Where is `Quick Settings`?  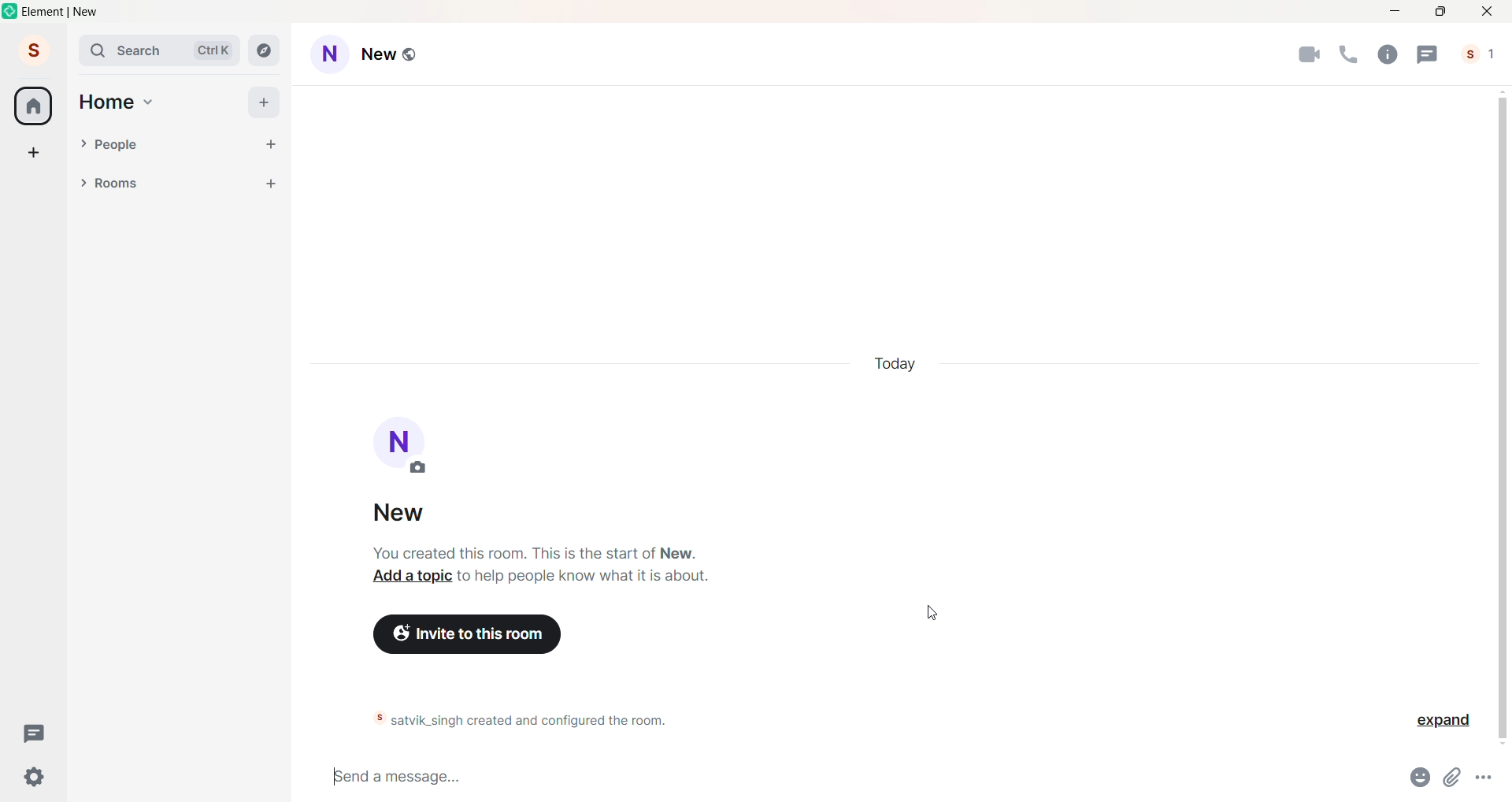 Quick Settings is located at coordinates (35, 777).